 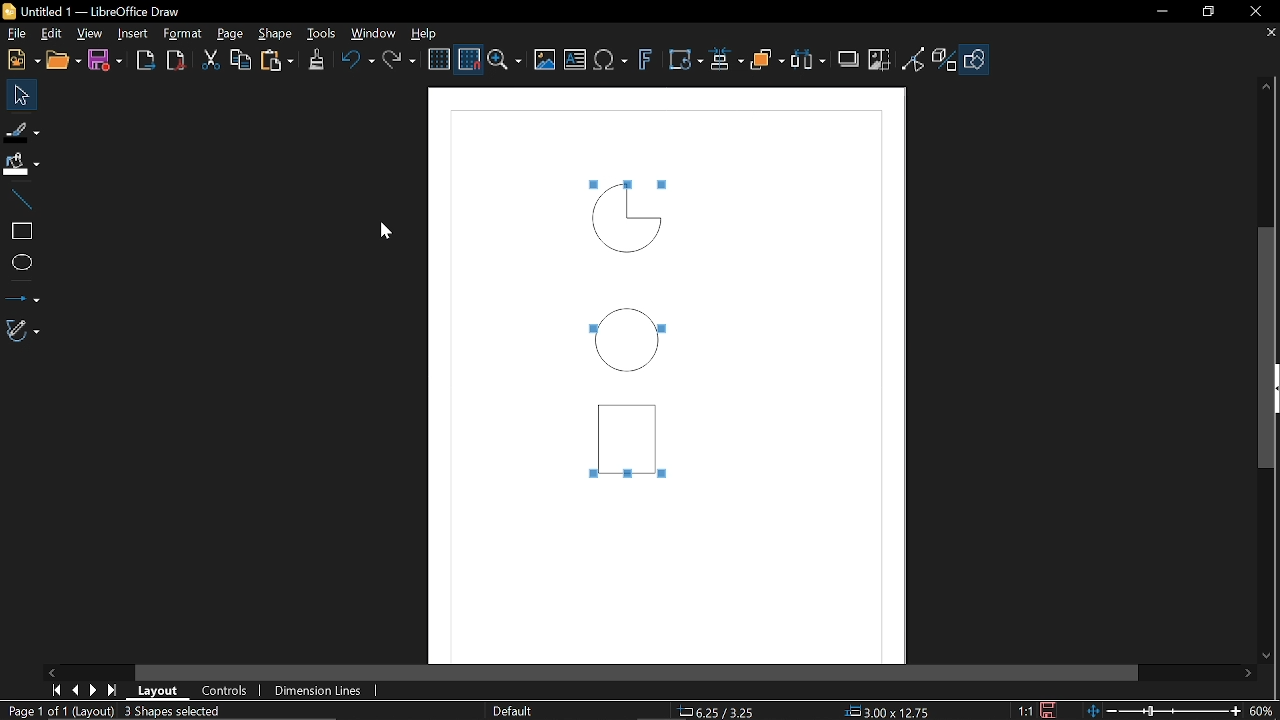 I want to click on Select, so click(x=19, y=96).